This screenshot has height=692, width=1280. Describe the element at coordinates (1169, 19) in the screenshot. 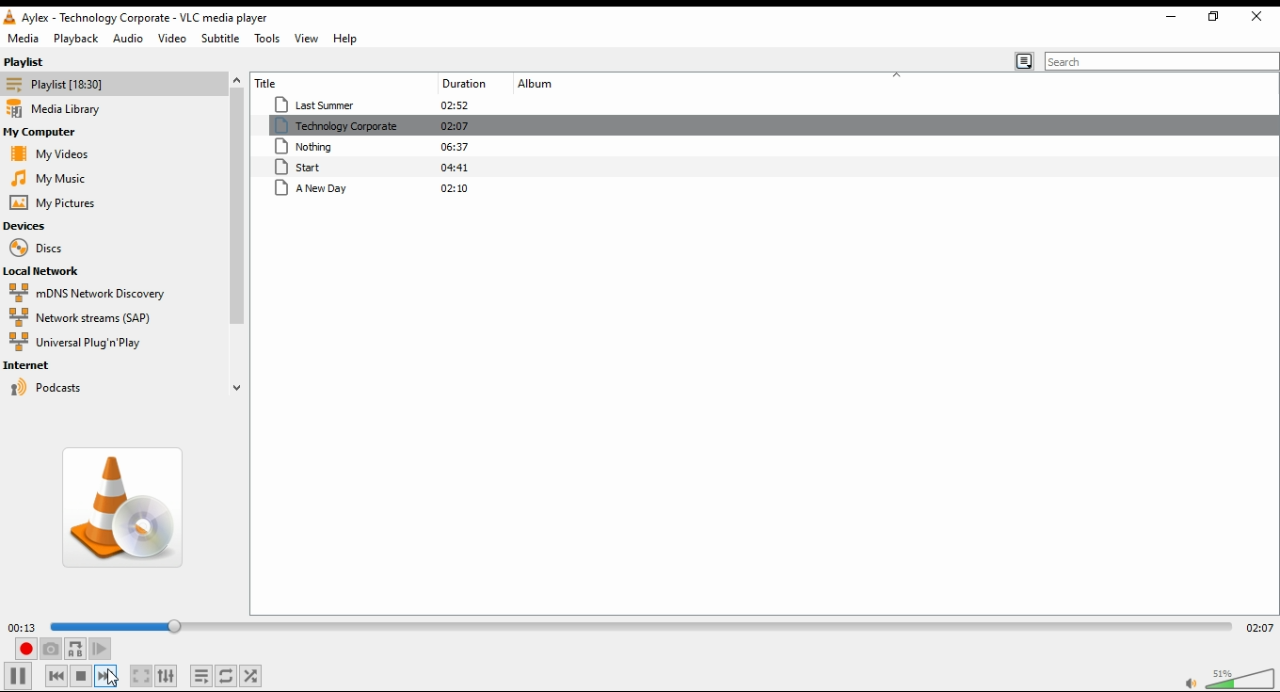

I see `minimize` at that location.